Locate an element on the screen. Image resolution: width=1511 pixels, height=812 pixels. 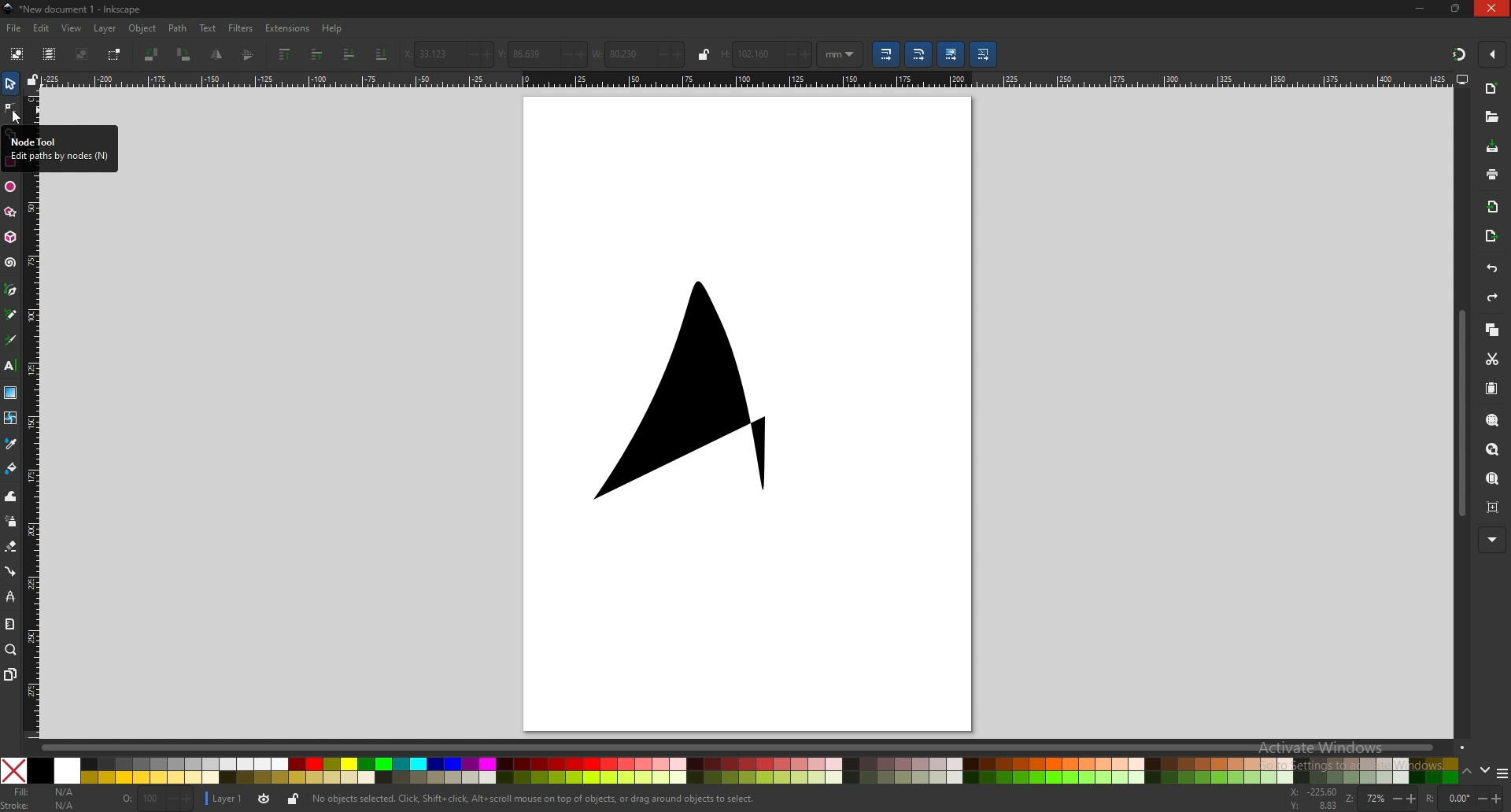
cursor coordinates is located at coordinates (1314, 799).